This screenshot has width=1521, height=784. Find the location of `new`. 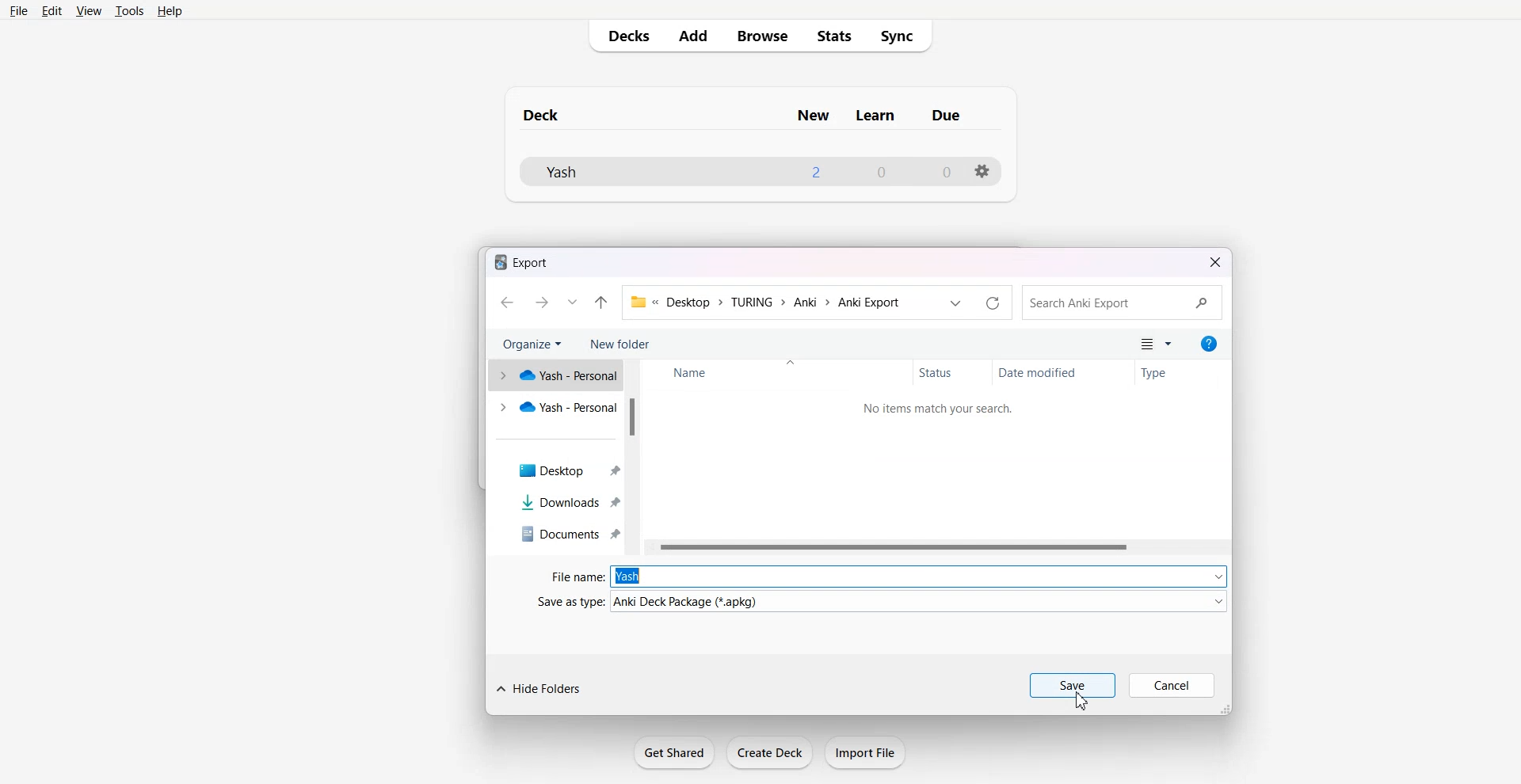

new is located at coordinates (813, 116).